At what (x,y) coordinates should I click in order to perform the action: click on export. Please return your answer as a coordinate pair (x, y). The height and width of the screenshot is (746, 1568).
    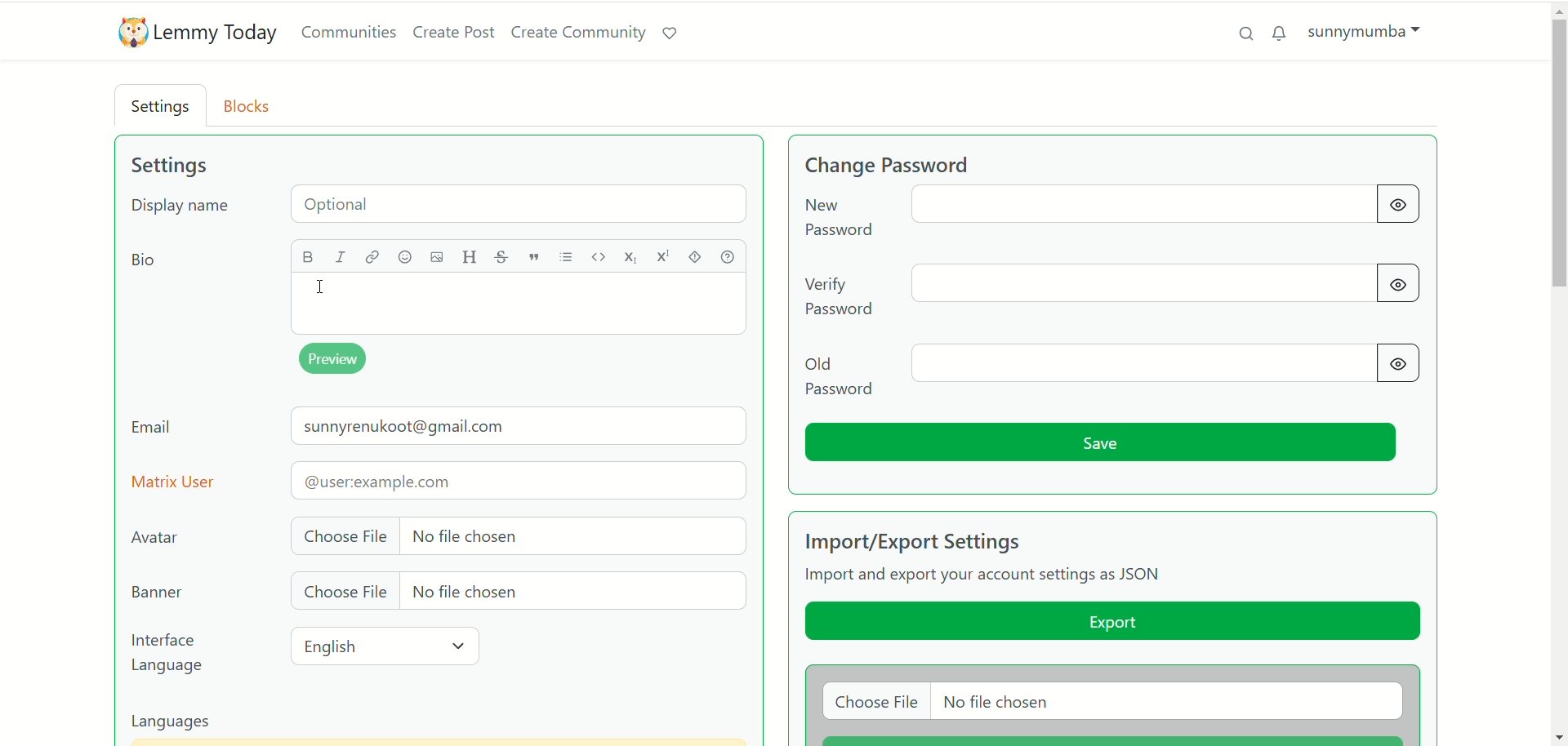
    Looking at the image, I should click on (1111, 624).